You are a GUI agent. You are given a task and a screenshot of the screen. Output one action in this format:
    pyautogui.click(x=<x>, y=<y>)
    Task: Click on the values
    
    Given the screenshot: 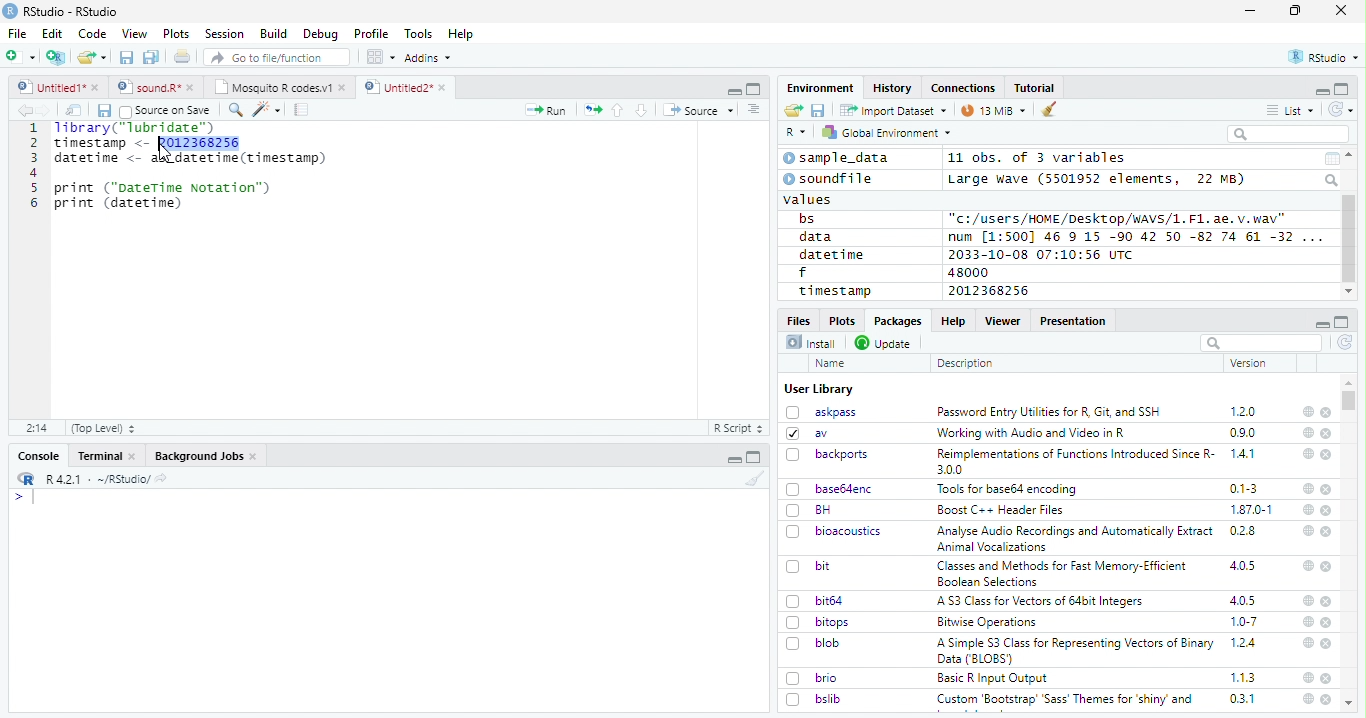 What is the action you would take?
    pyautogui.click(x=809, y=198)
    